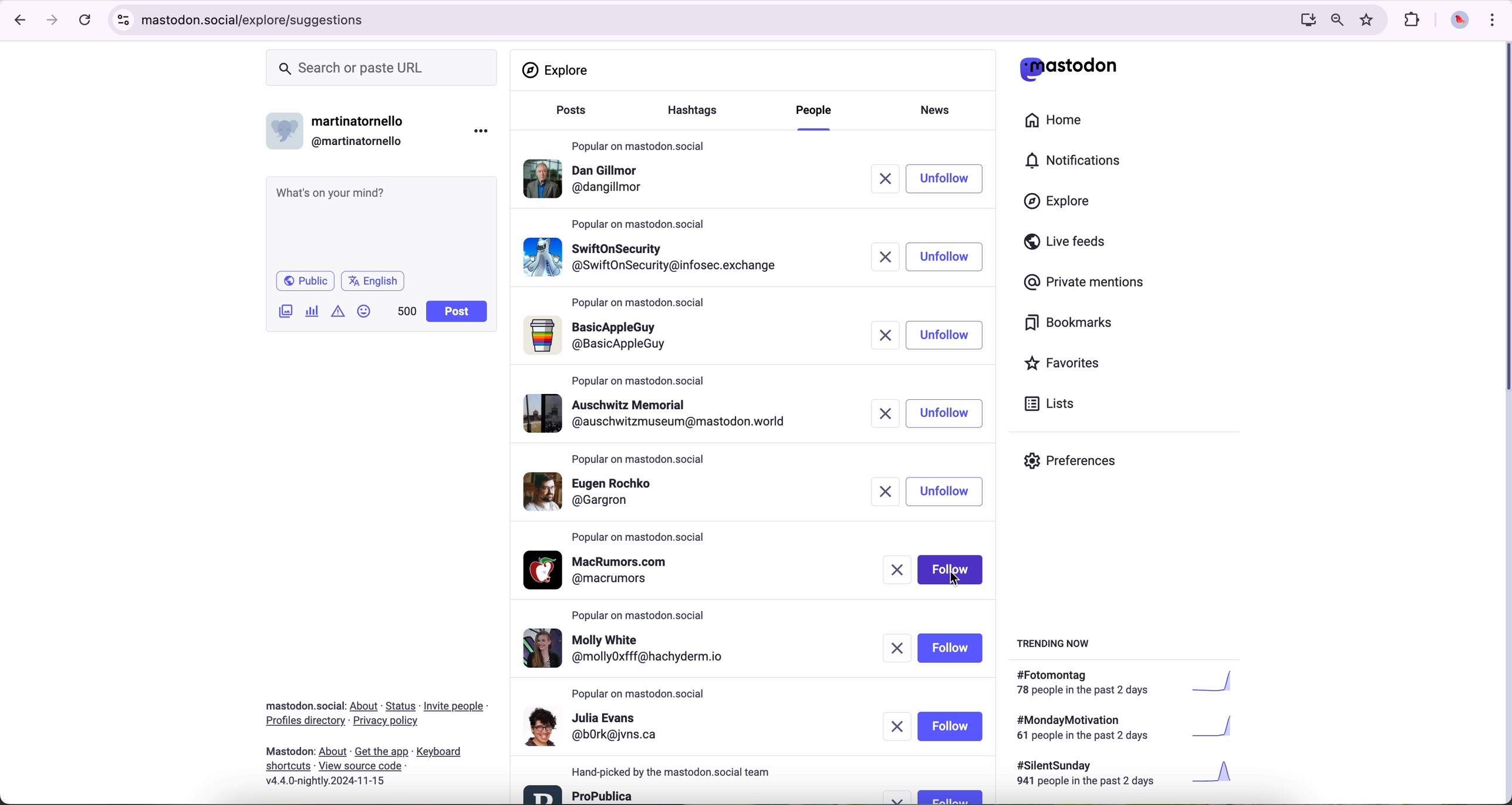 This screenshot has width=1512, height=805. Describe the element at coordinates (457, 312) in the screenshot. I see `post button` at that location.